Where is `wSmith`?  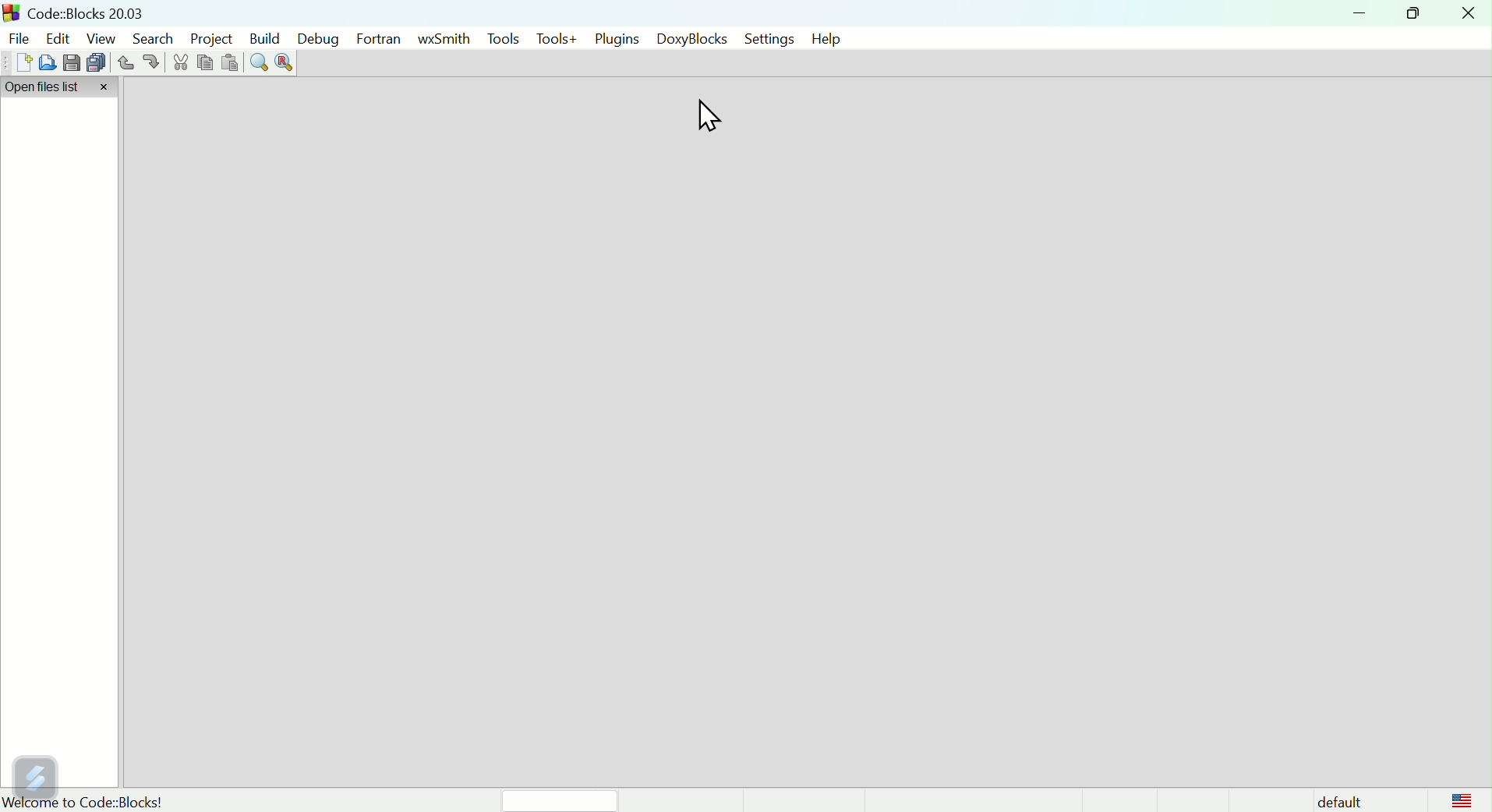
wSmith is located at coordinates (444, 40).